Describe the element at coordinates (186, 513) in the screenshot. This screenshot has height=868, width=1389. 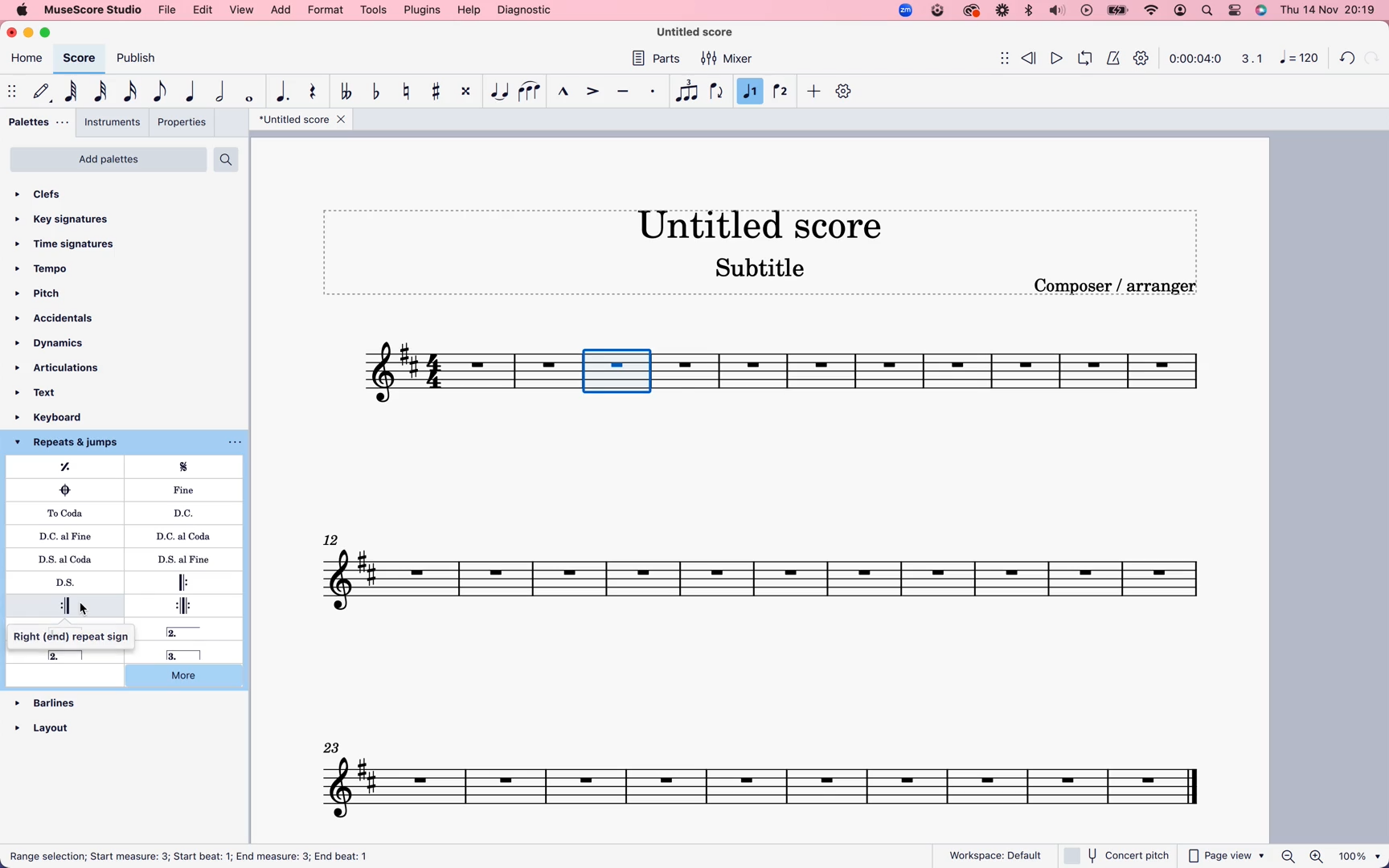
I see `d.c.` at that location.